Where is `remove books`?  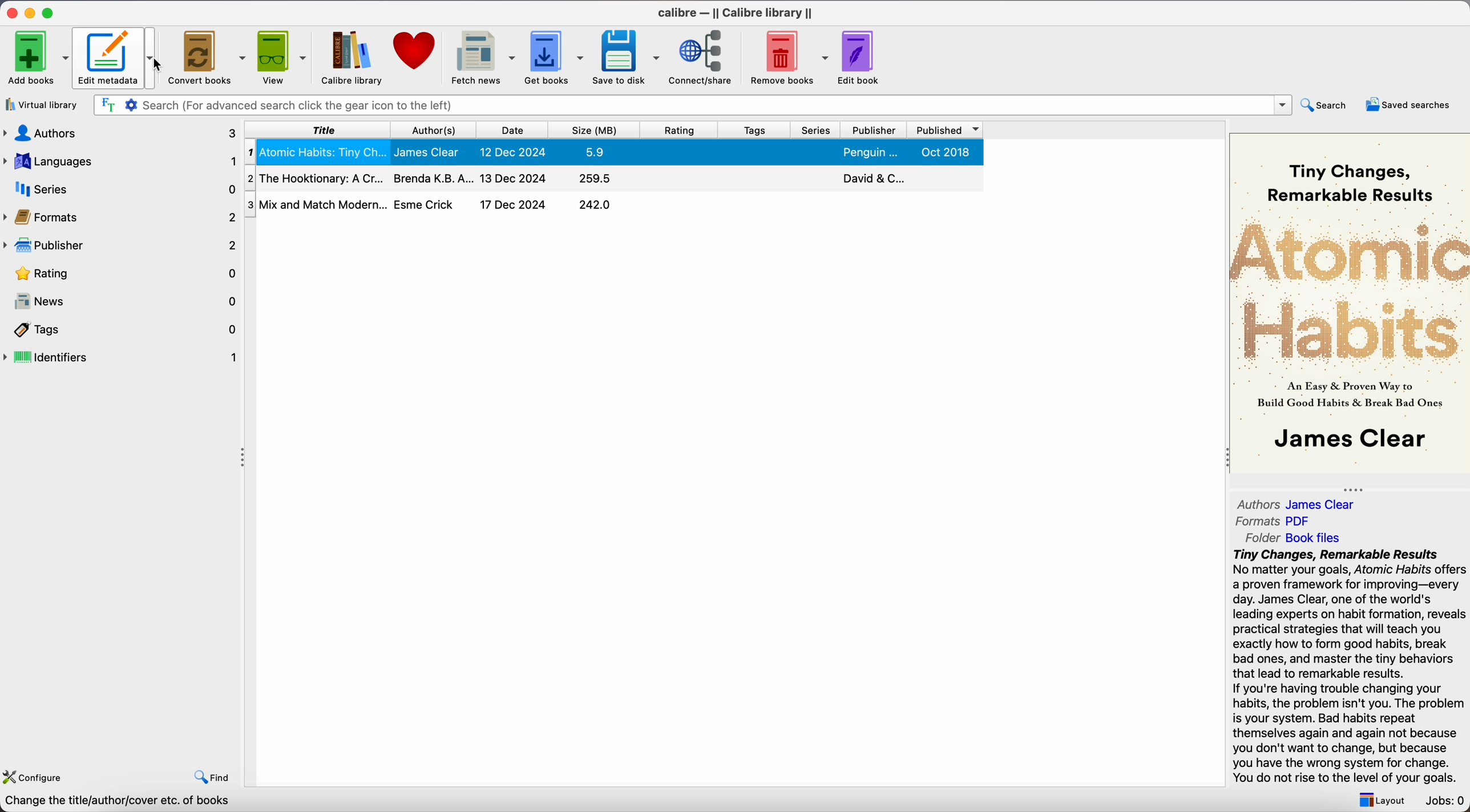 remove books is located at coordinates (790, 57).